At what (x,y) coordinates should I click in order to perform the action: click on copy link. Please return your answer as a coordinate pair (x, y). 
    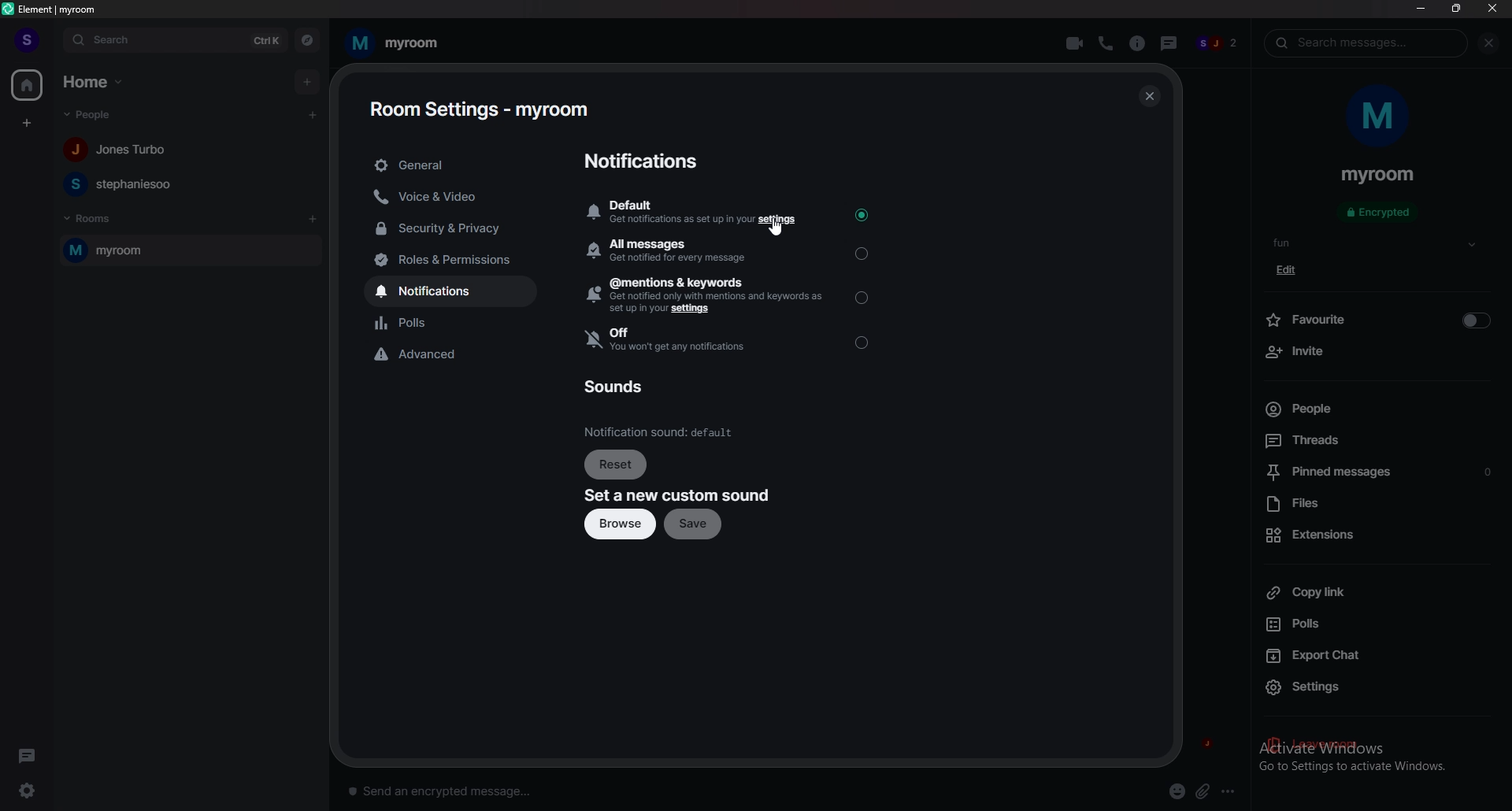
    Looking at the image, I should click on (1377, 591).